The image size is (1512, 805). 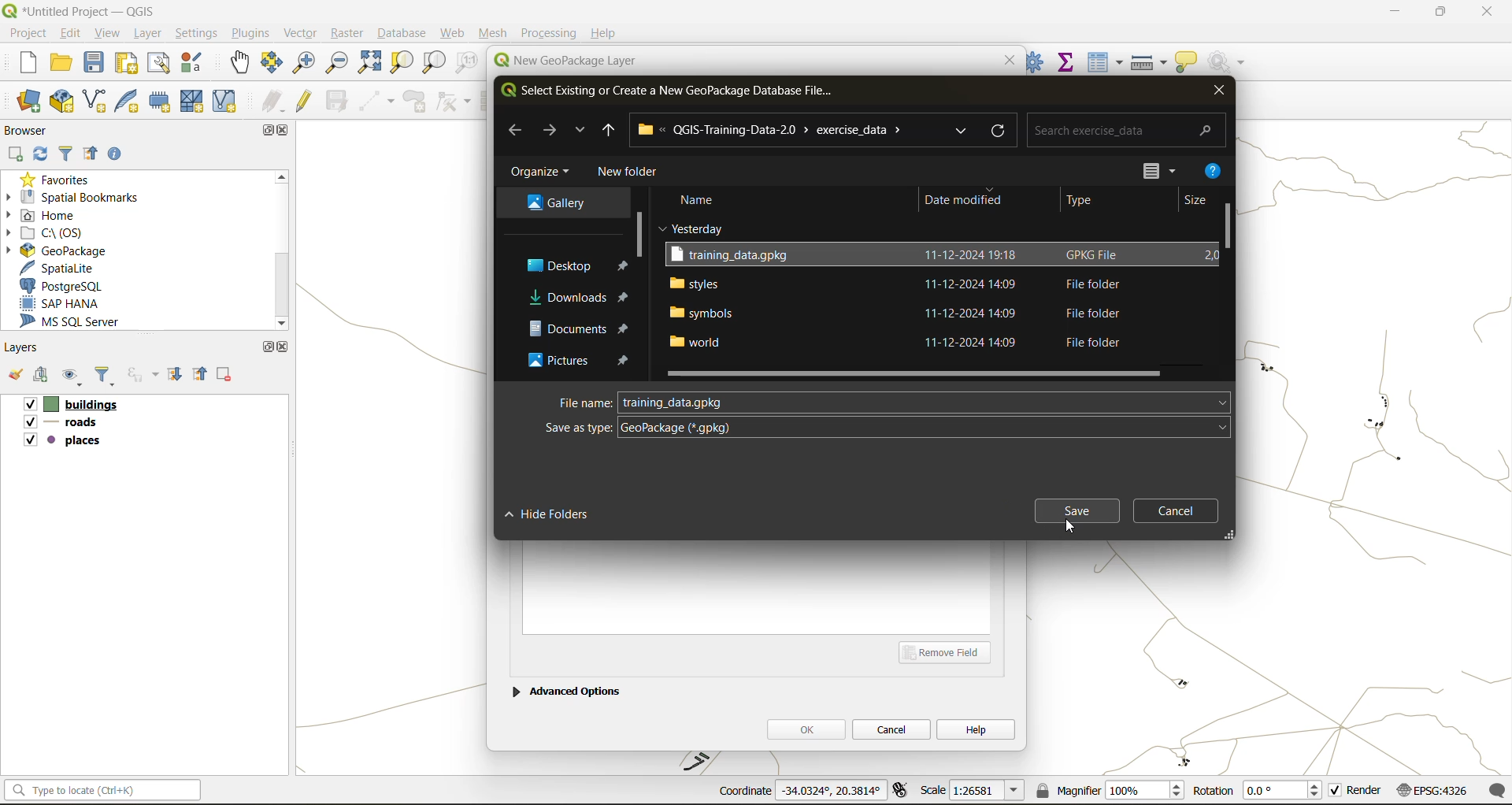 What do you see at coordinates (1258, 792) in the screenshot?
I see `rotation` at bounding box center [1258, 792].